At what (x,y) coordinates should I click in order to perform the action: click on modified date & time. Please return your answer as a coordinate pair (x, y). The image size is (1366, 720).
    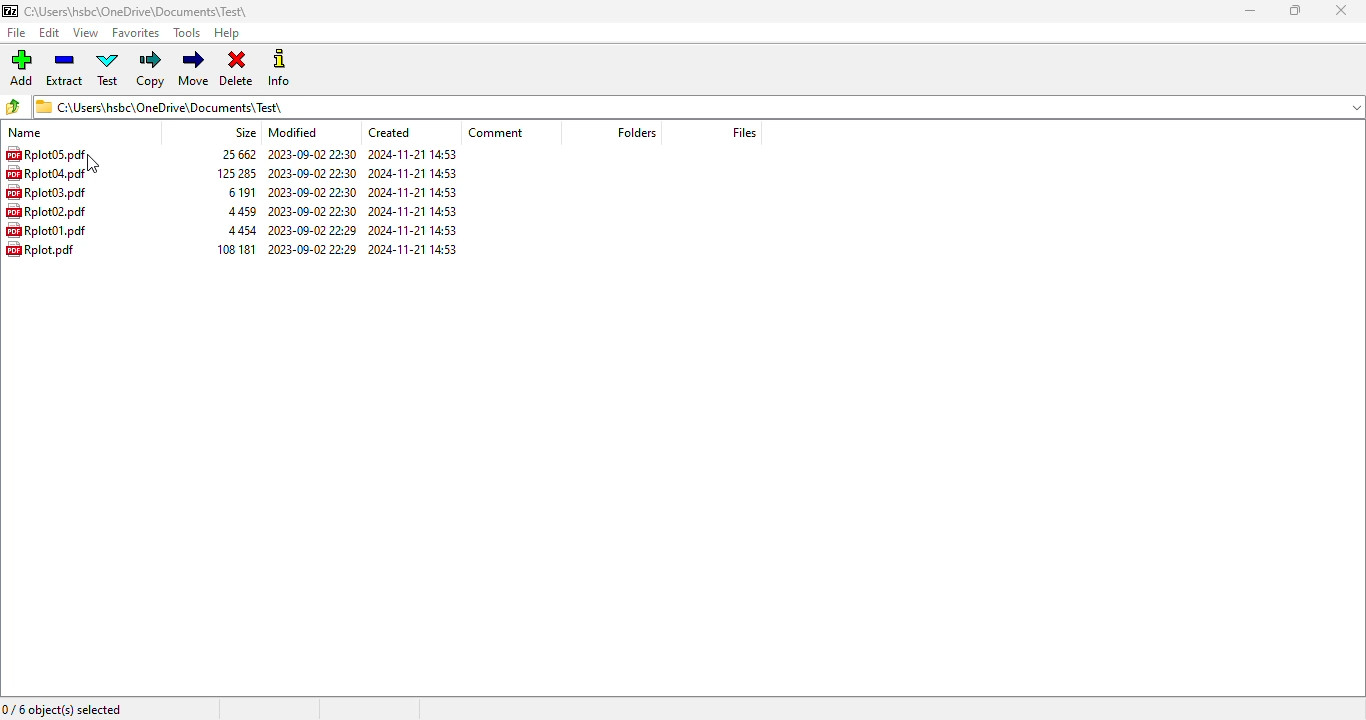
    Looking at the image, I should click on (314, 173).